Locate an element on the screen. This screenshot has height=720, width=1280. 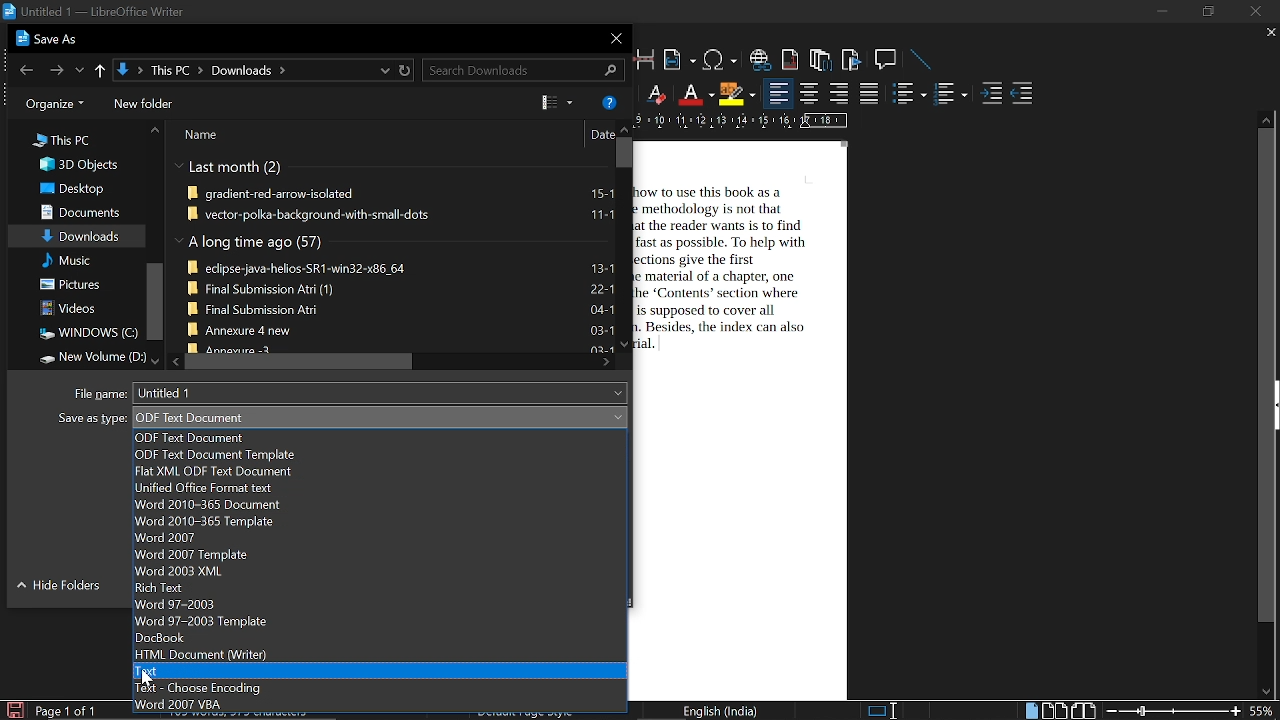
move down is located at coordinates (625, 343).